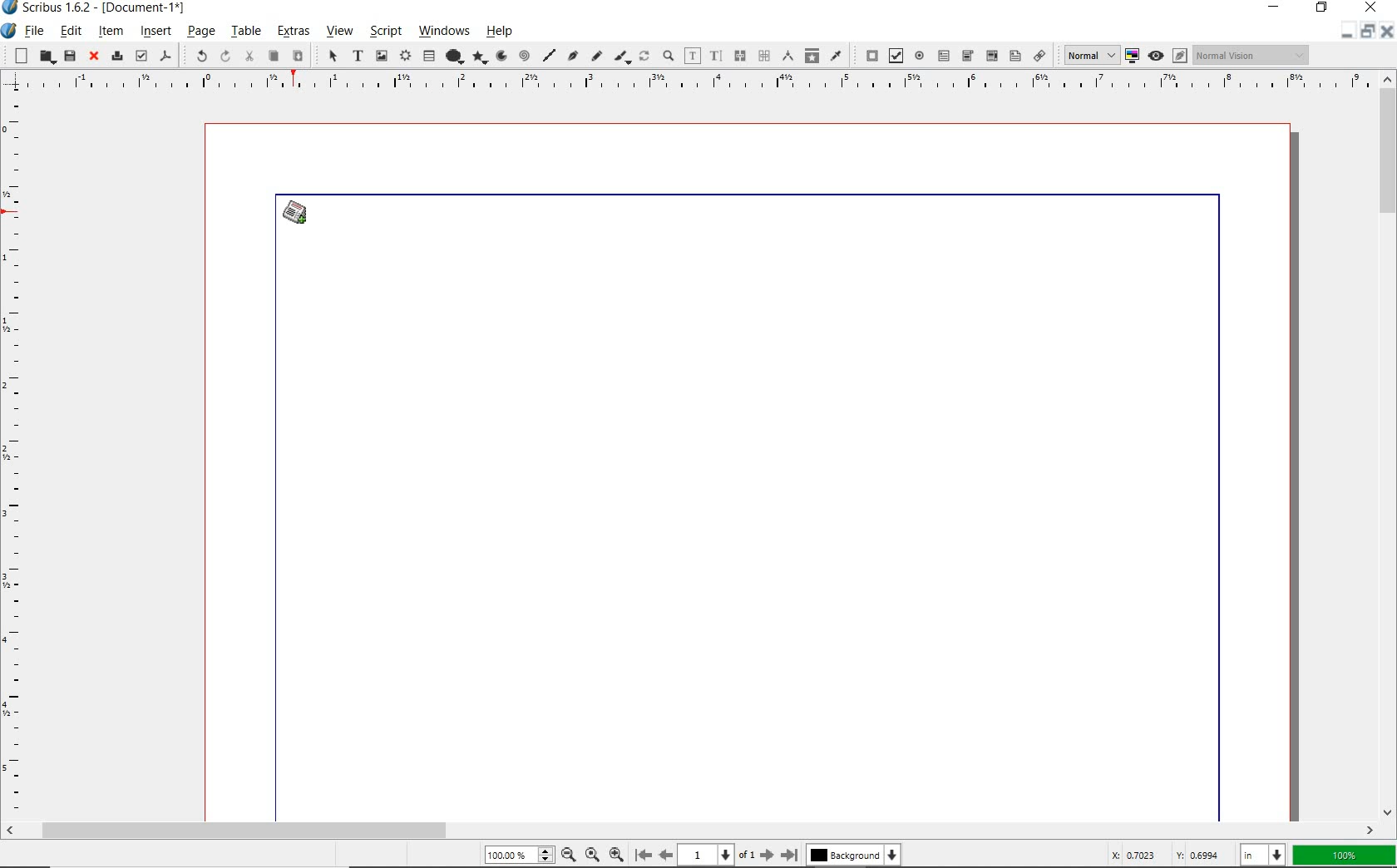 The height and width of the screenshot is (868, 1397). I want to click on open, so click(46, 56).